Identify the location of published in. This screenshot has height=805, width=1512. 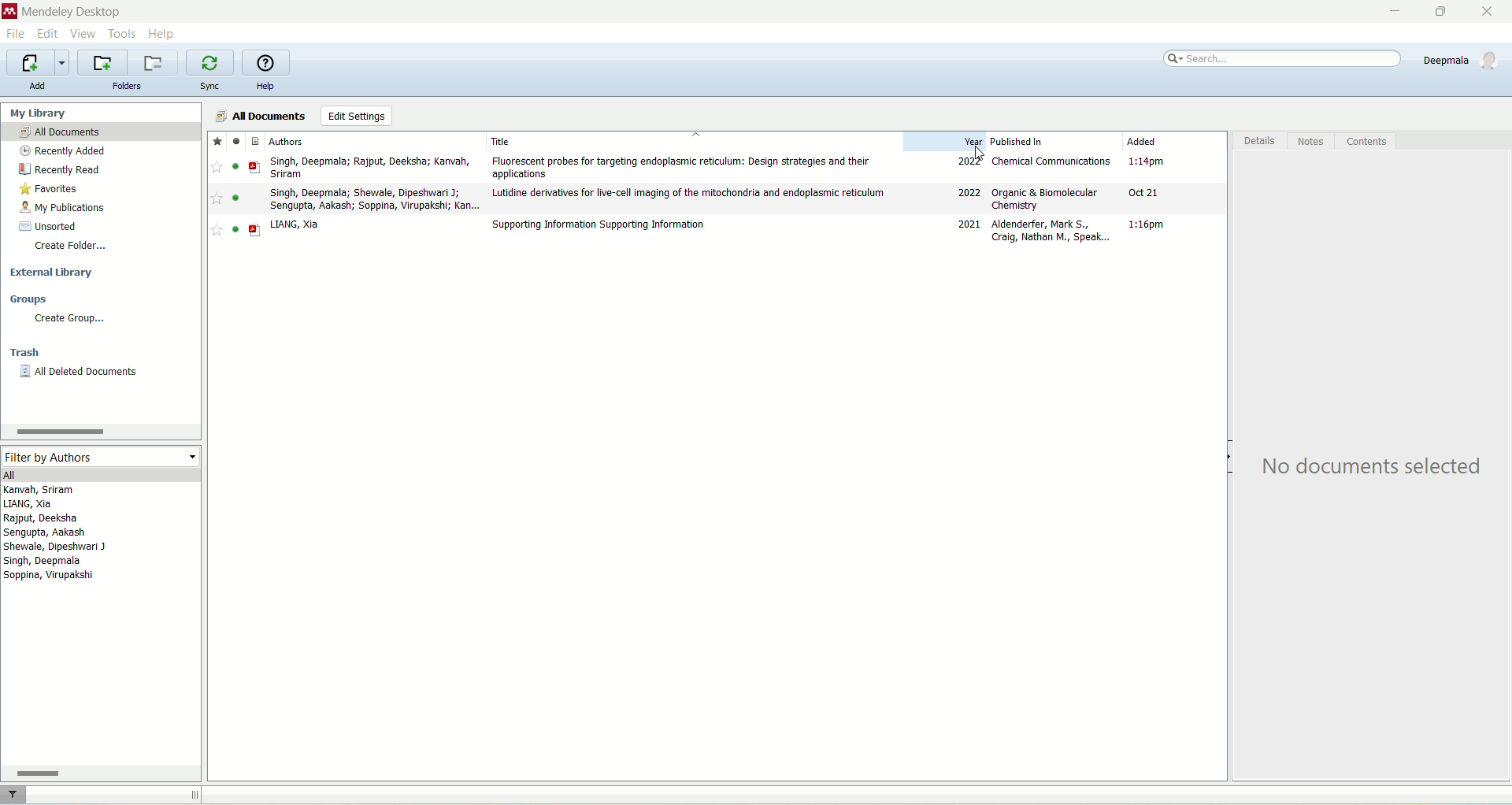
(1052, 143).